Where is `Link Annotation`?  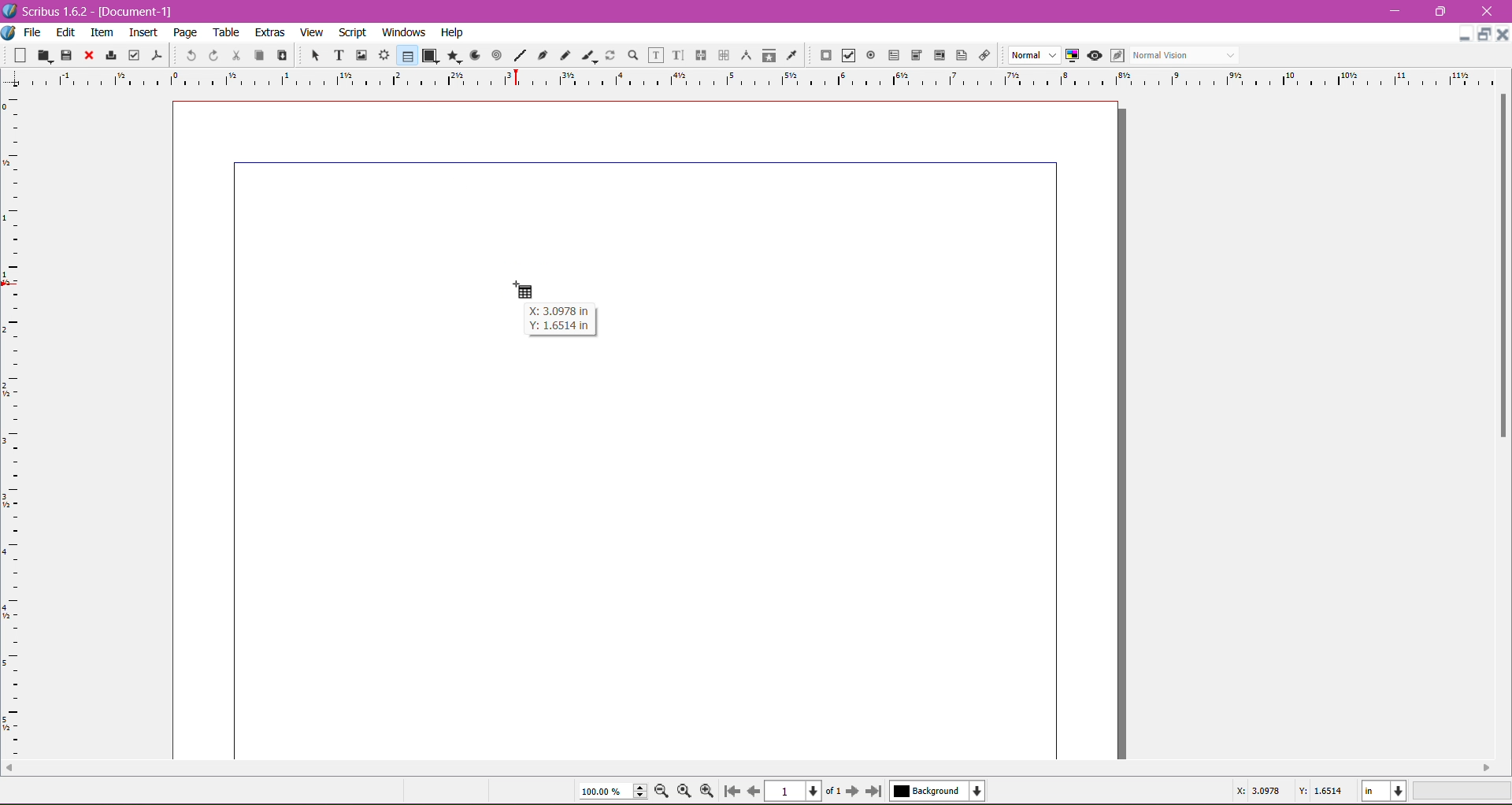
Link Annotation is located at coordinates (982, 54).